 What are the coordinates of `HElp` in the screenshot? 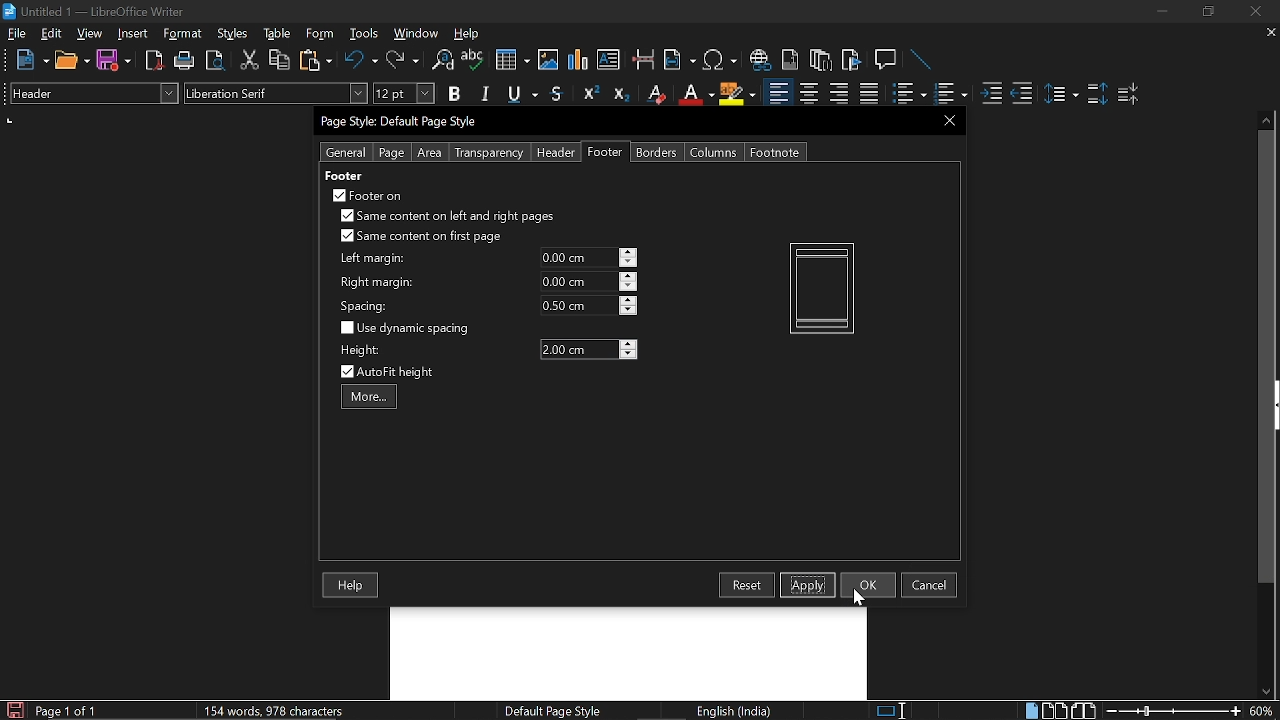 It's located at (468, 33).